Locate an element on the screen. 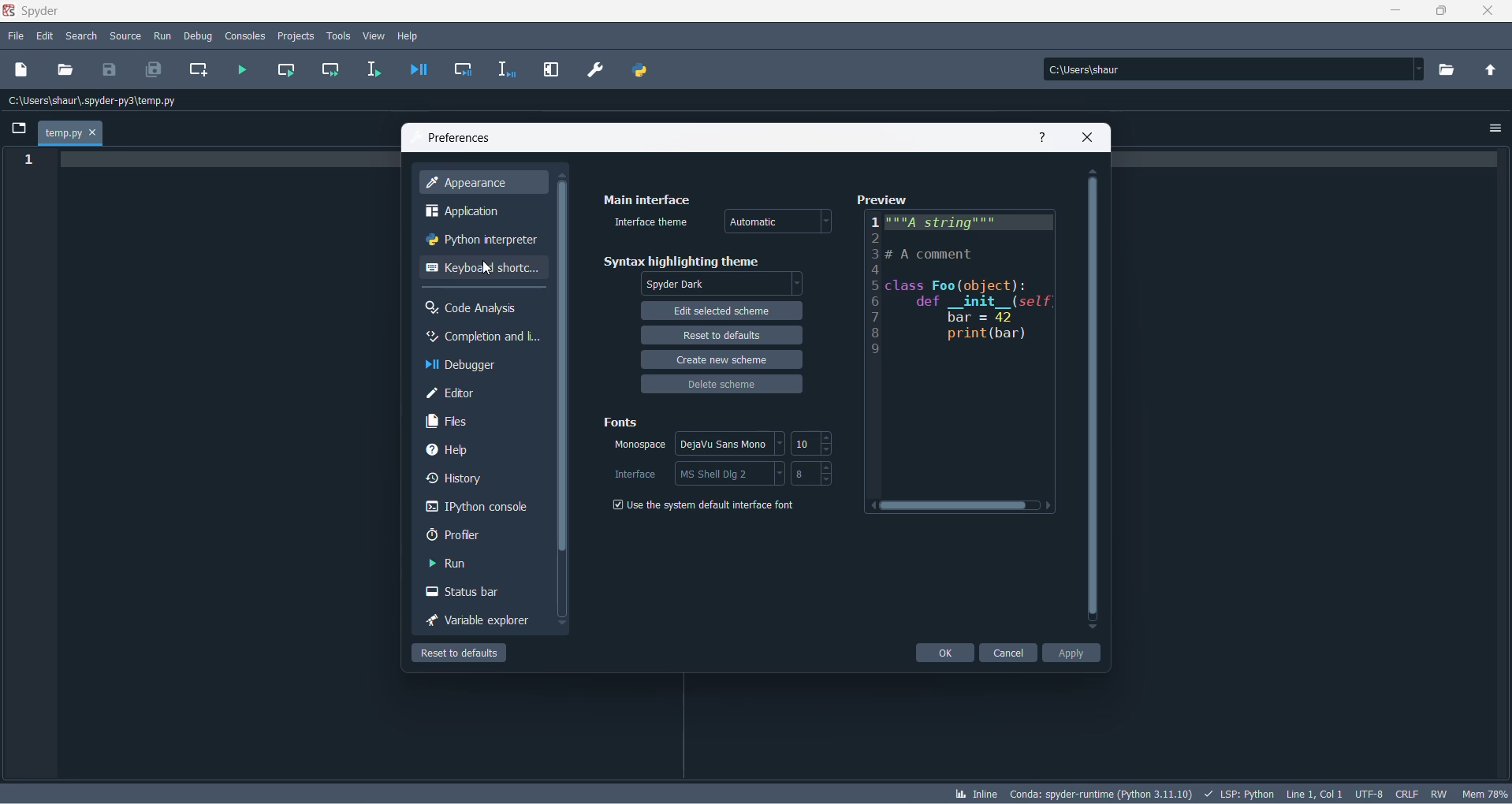 The image size is (1512, 804). code analysis is located at coordinates (479, 308).